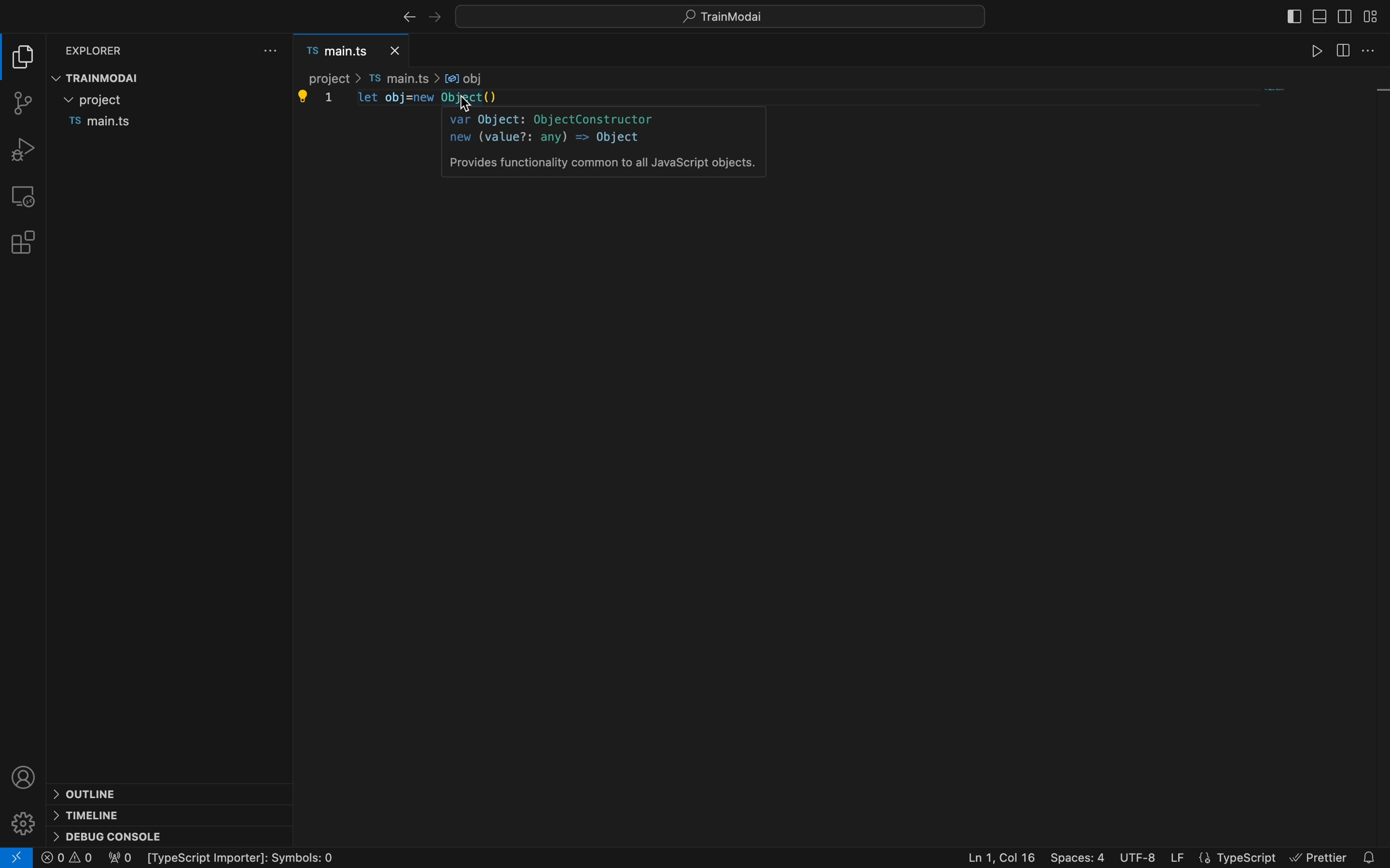 The width and height of the screenshot is (1390, 868). Describe the element at coordinates (1343, 15) in the screenshot. I see `toggle secondary bar` at that location.